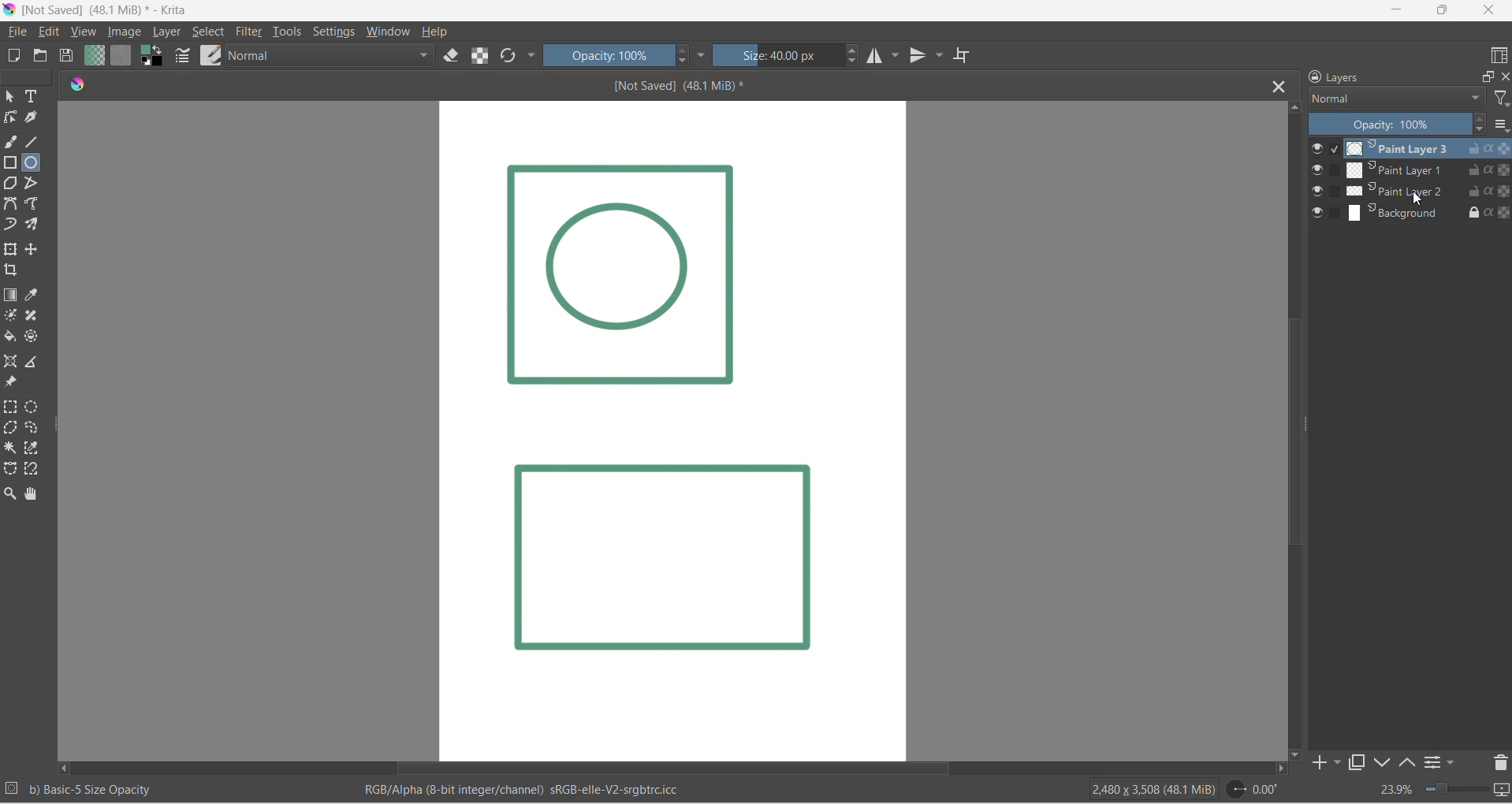 The width and height of the screenshot is (1512, 804). Describe the element at coordinates (35, 494) in the screenshot. I see `pan tool` at that location.